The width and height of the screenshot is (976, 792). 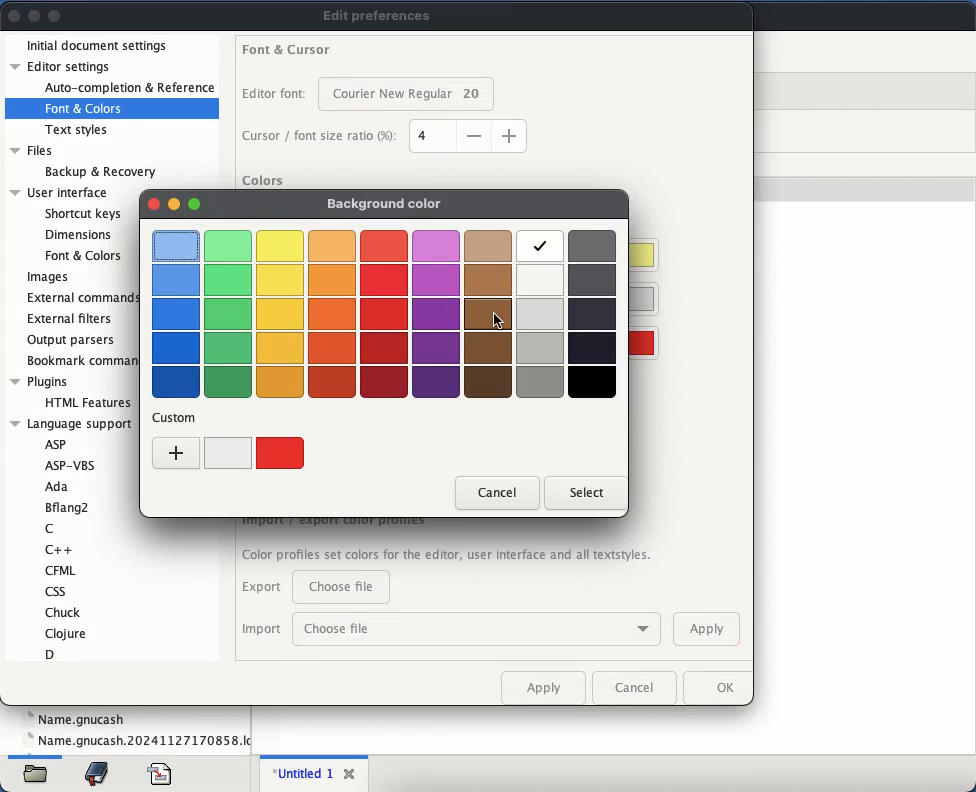 I want to click on maximize, so click(x=195, y=203).